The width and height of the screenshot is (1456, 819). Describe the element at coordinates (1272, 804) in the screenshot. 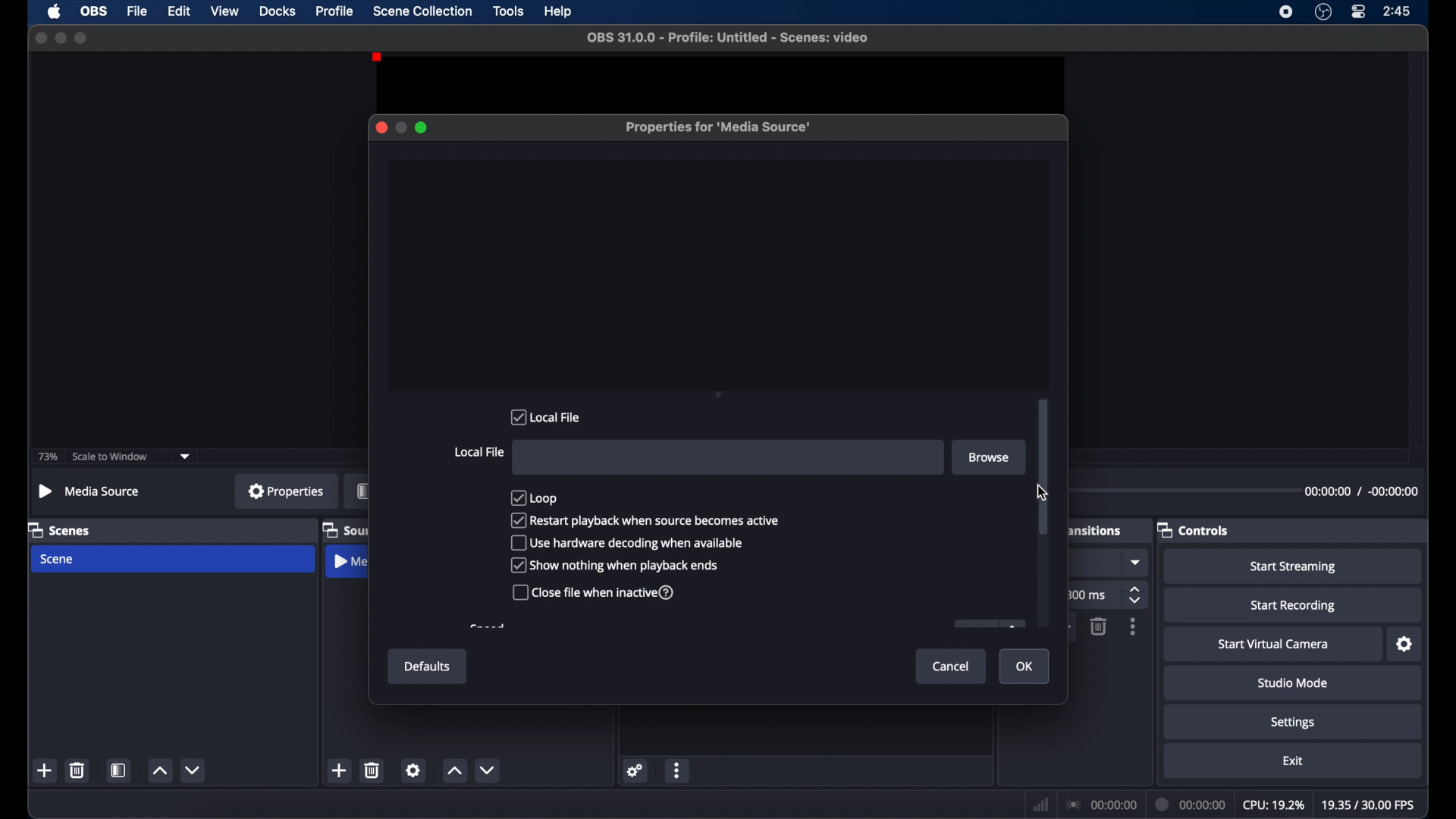

I see `cpu` at that location.